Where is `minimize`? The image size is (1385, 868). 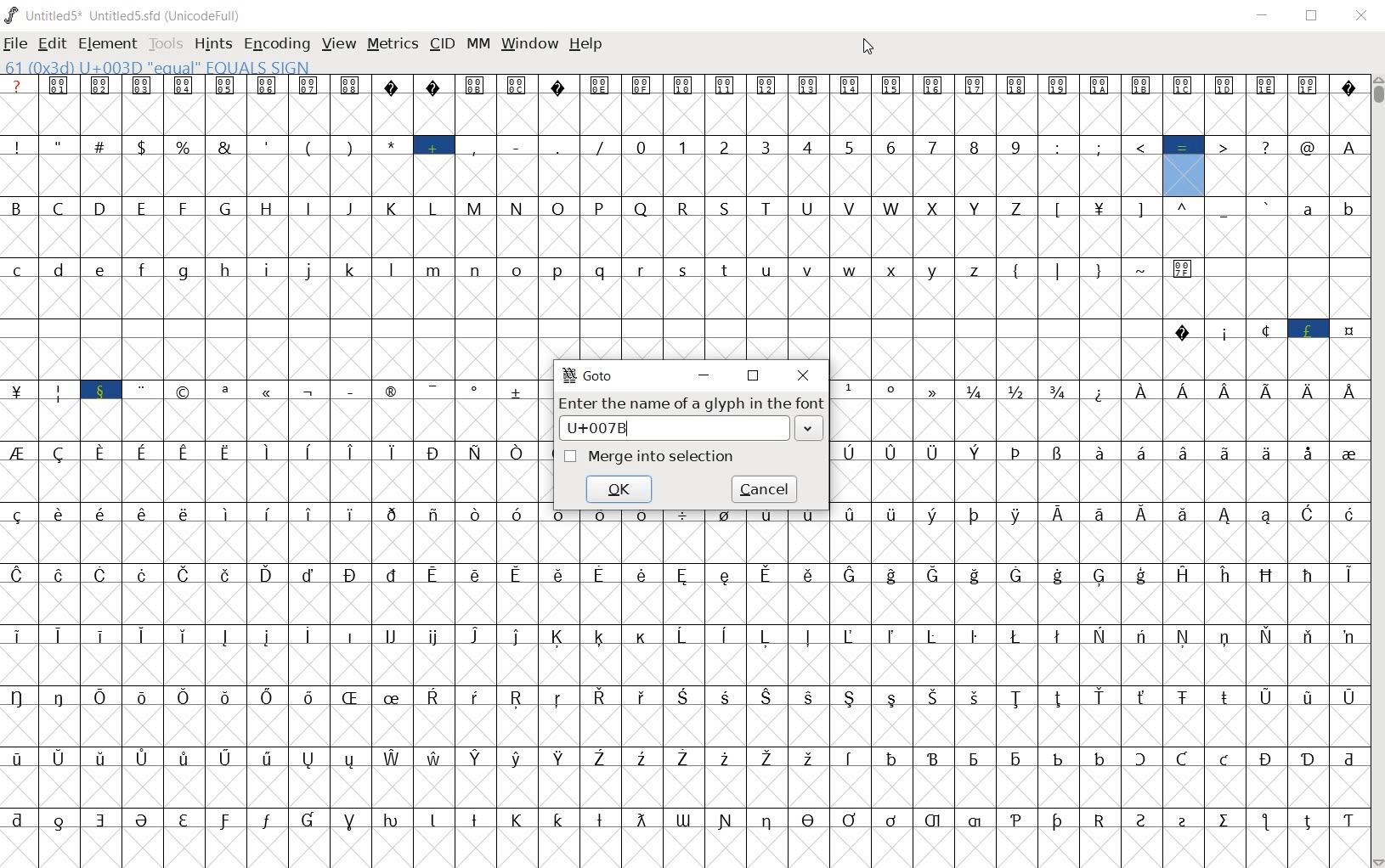 minimize is located at coordinates (704, 373).